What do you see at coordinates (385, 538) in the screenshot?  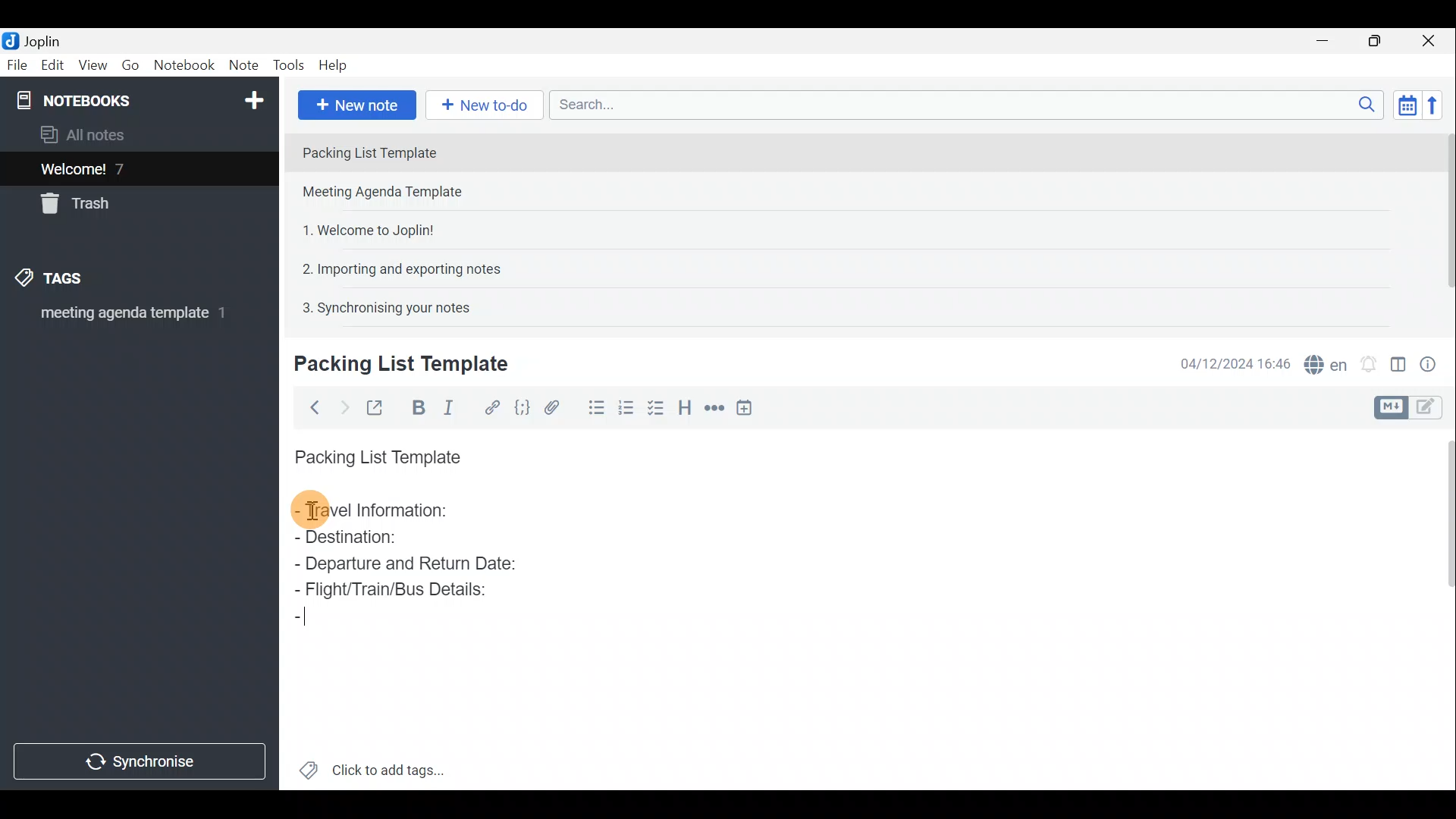 I see `Destination:` at bounding box center [385, 538].